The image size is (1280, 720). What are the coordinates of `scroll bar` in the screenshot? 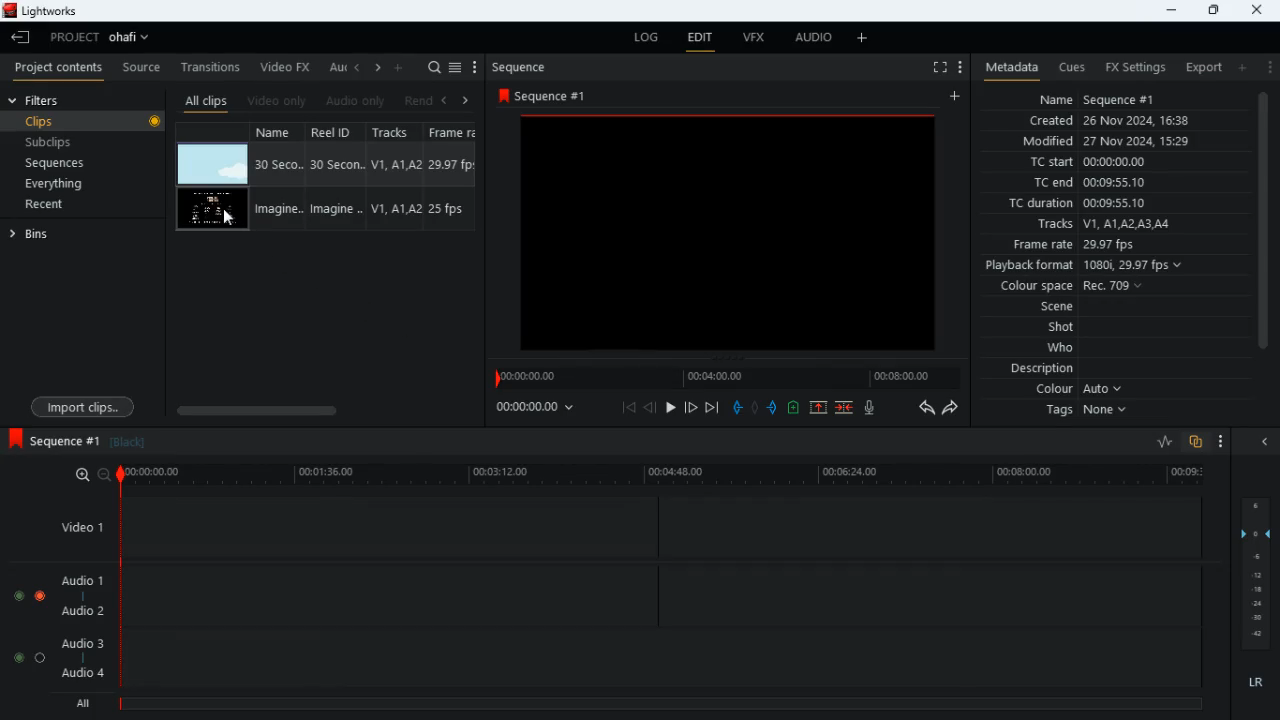 It's located at (321, 410).